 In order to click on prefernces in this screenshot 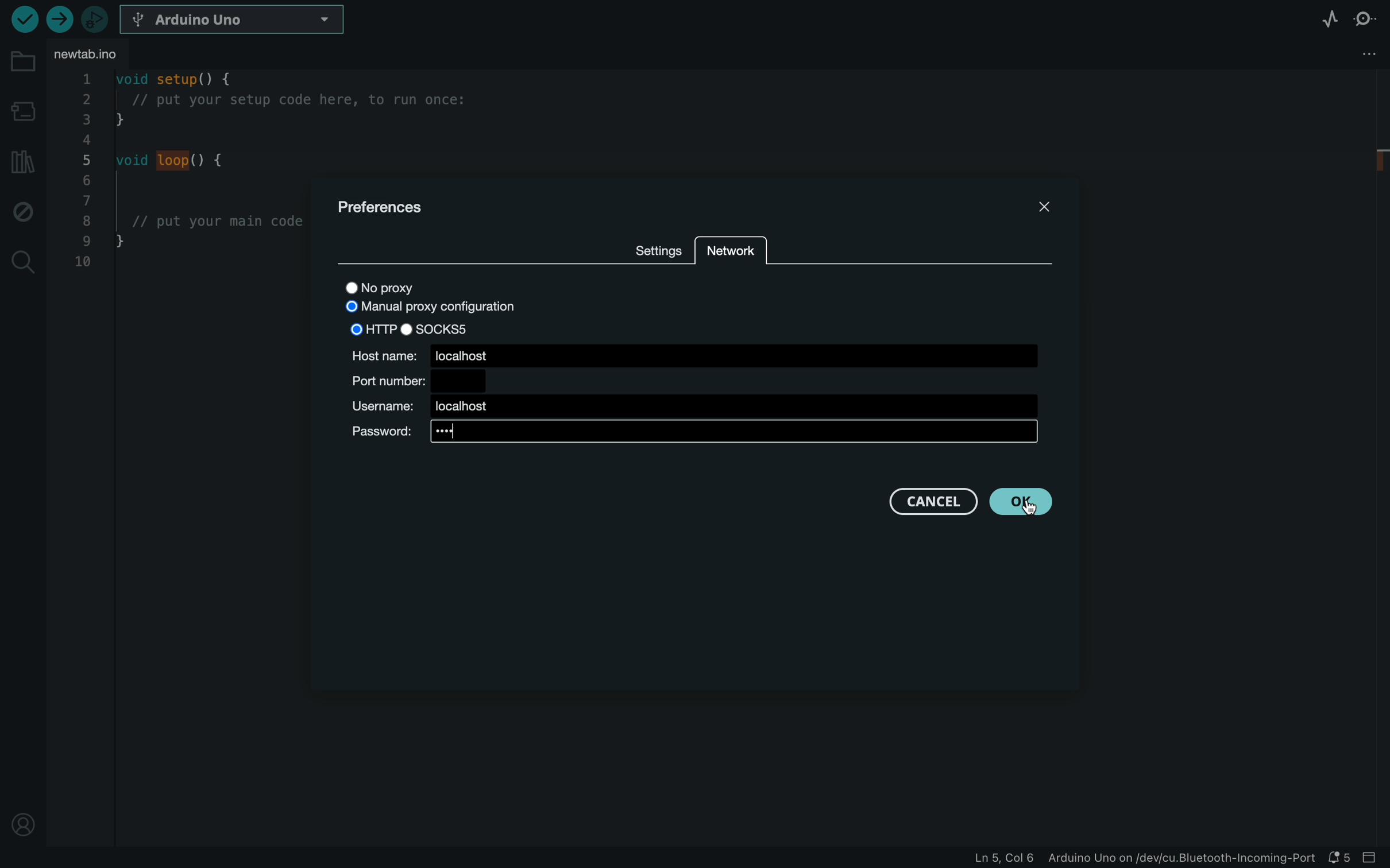, I will do `click(401, 205)`.